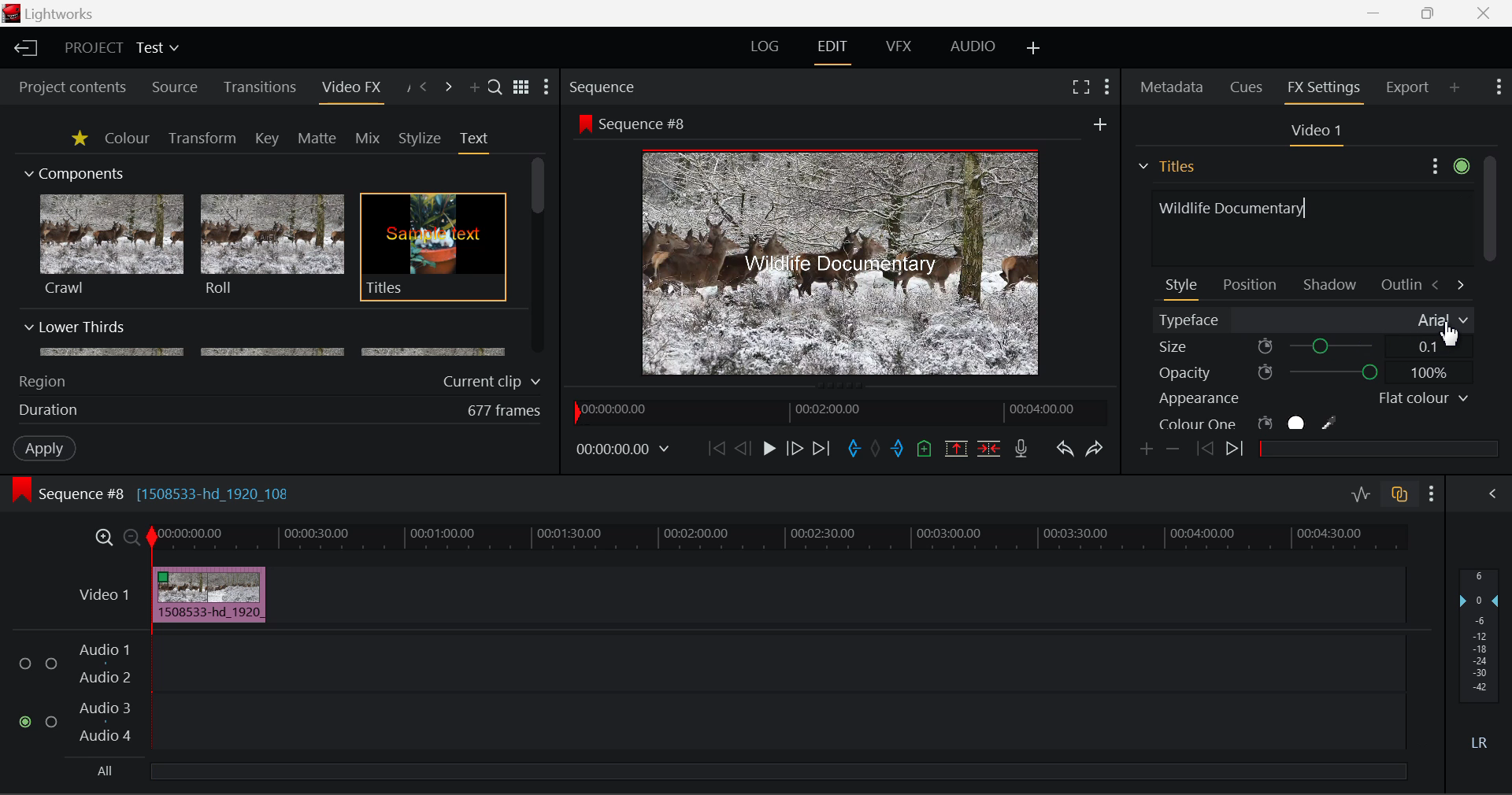 The image size is (1512, 795). What do you see at coordinates (13, 13) in the screenshot?
I see `logo` at bounding box center [13, 13].